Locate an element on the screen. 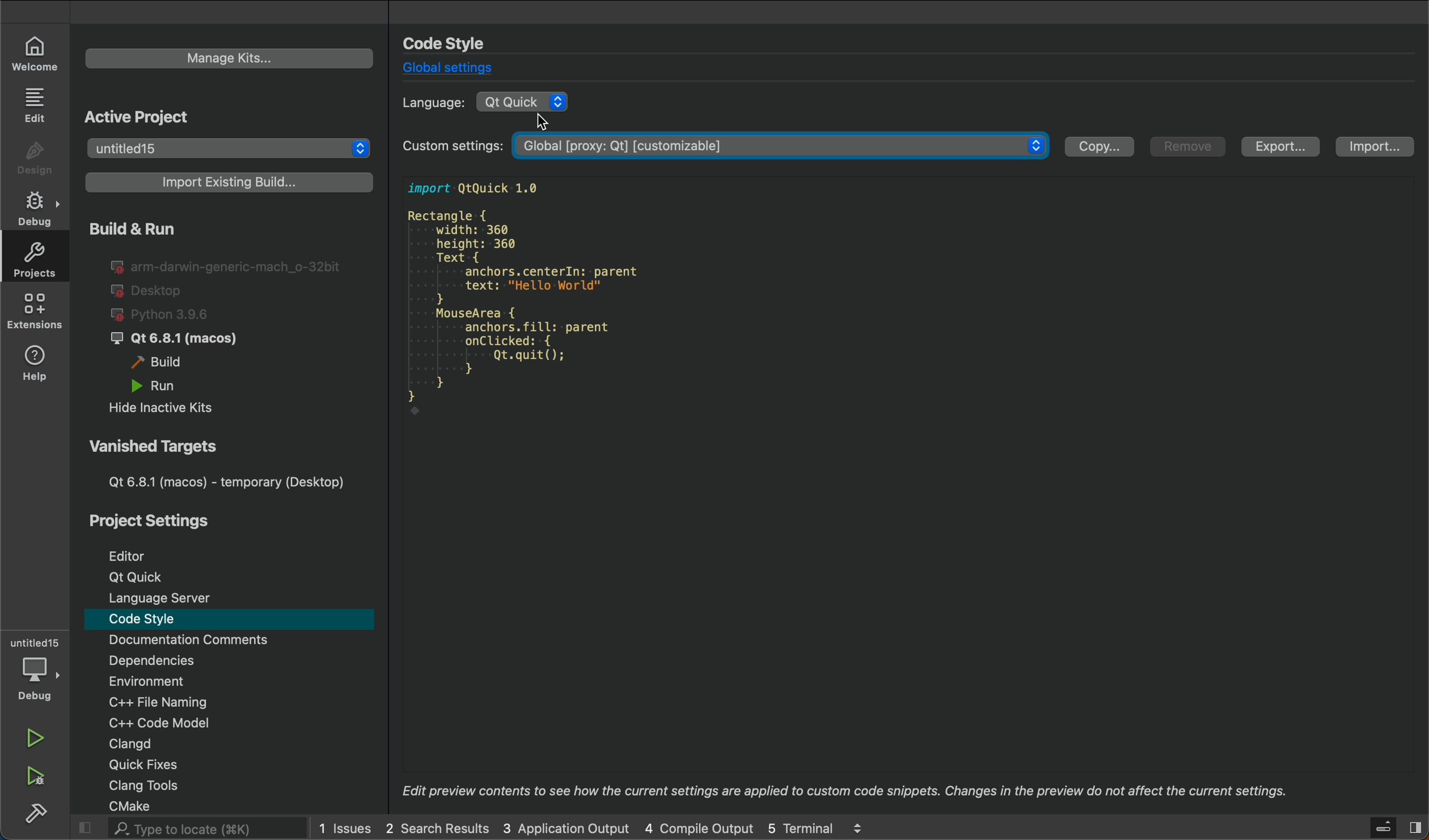 The width and height of the screenshot is (1429, 840). cmake is located at coordinates (146, 805).